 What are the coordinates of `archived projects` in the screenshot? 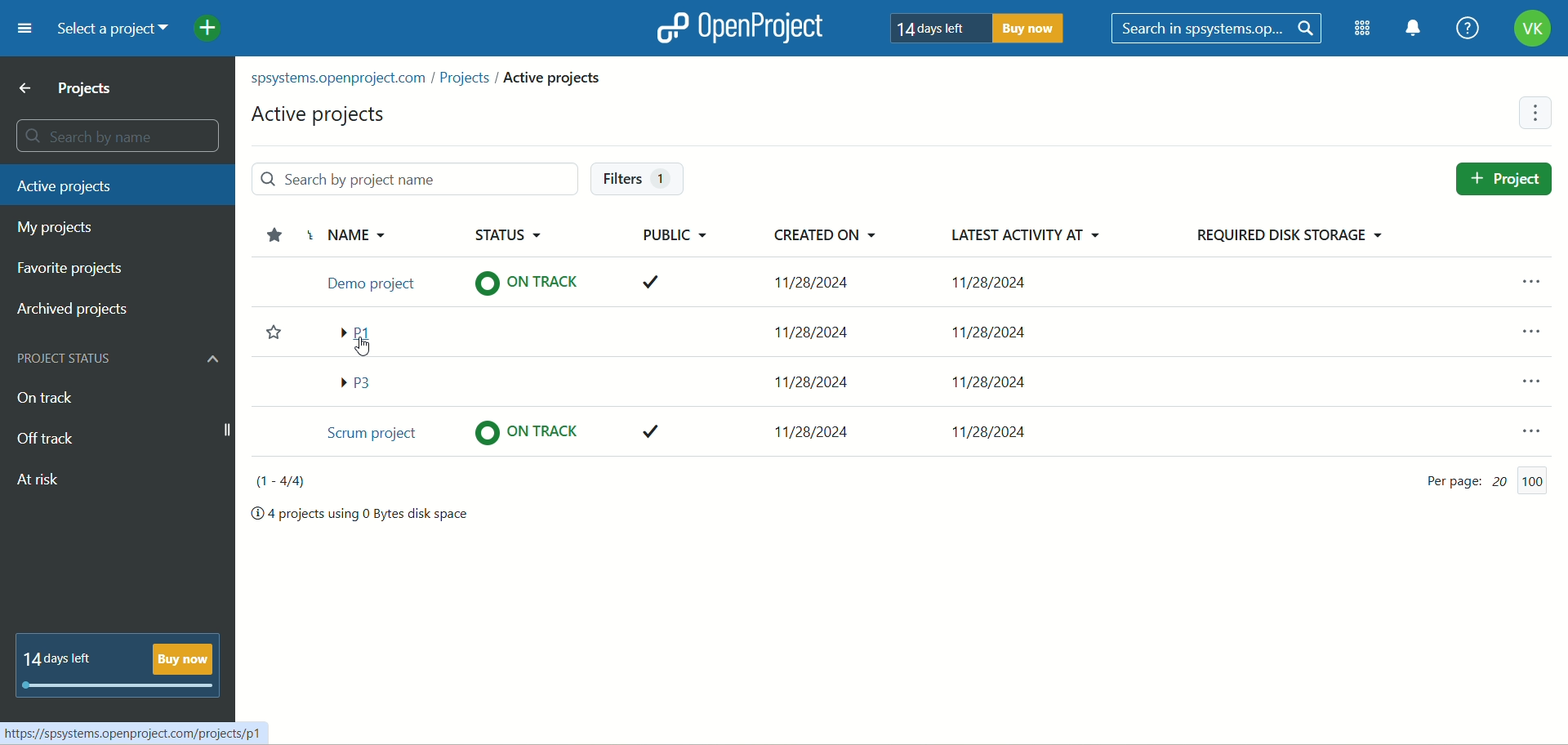 It's located at (74, 310).